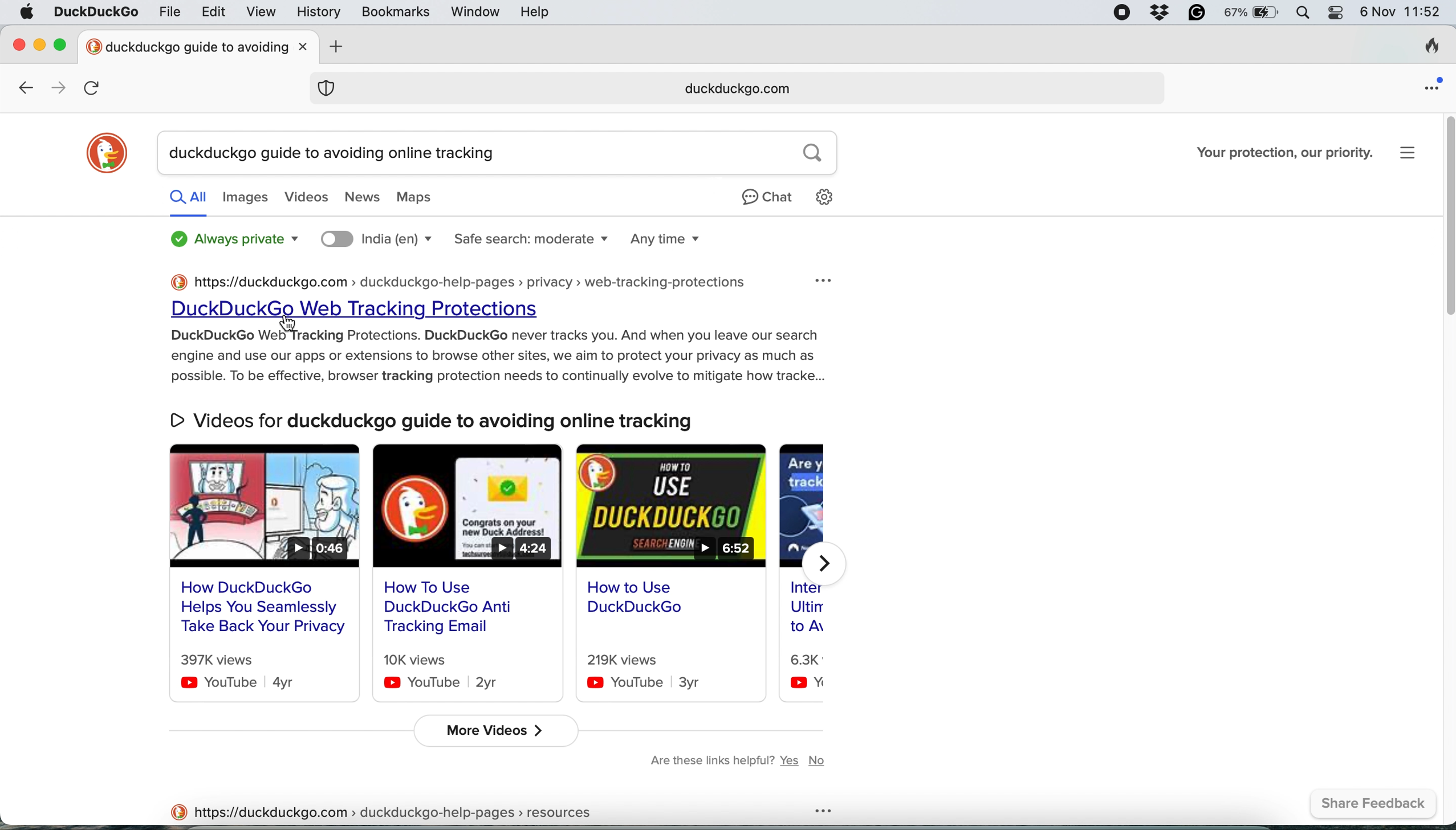 The height and width of the screenshot is (830, 1456). Describe the element at coordinates (535, 12) in the screenshot. I see `help` at that location.